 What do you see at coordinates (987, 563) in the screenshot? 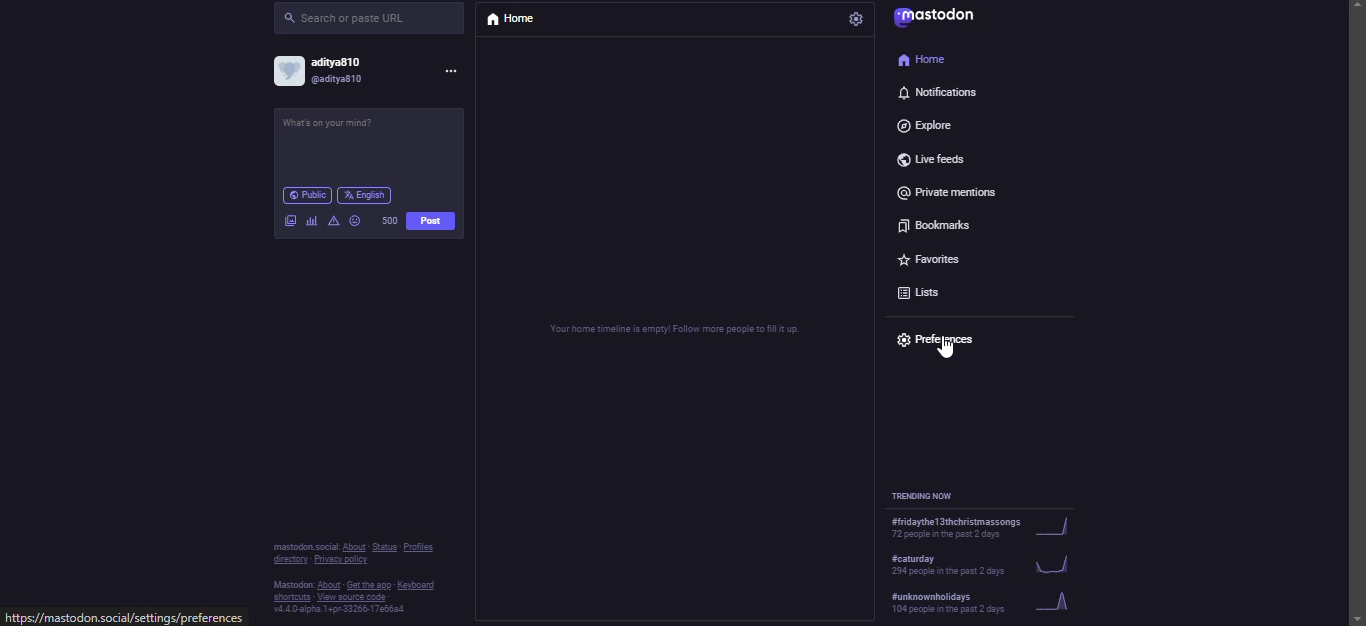
I see `trending` at bounding box center [987, 563].